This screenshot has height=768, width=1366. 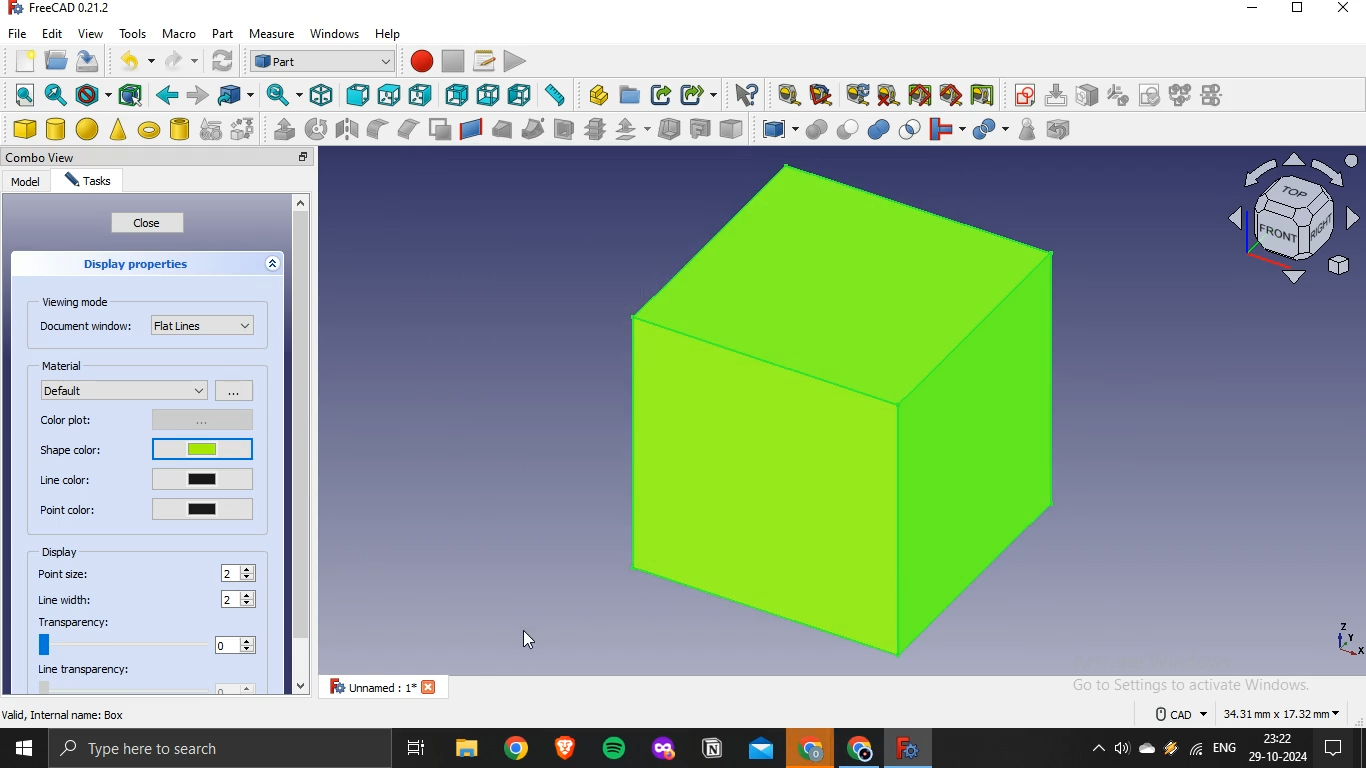 What do you see at coordinates (471, 128) in the screenshot?
I see `create a ruled surface` at bounding box center [471, 128].